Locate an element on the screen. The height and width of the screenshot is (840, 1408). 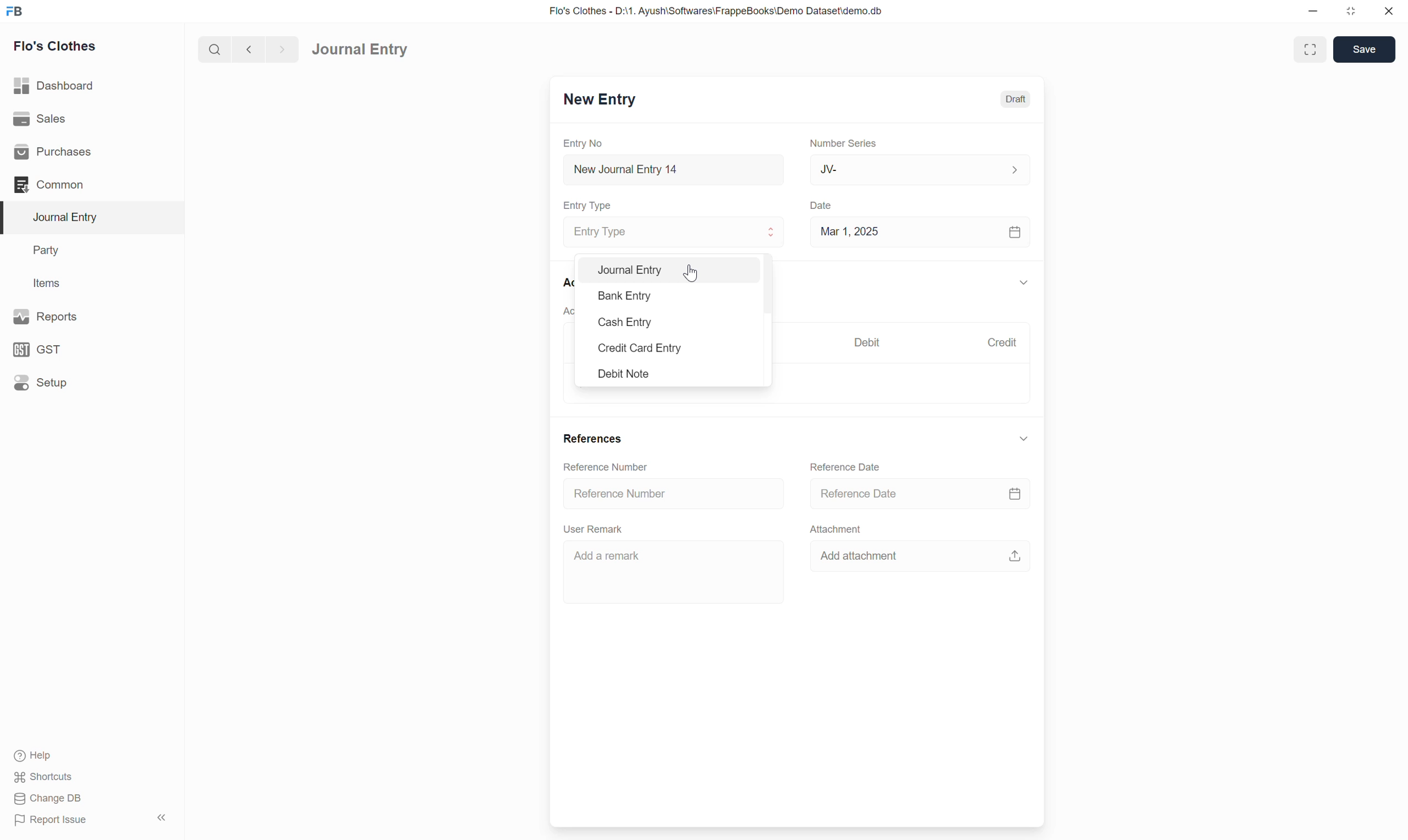
calendar is located at coordinates (1015, 491).